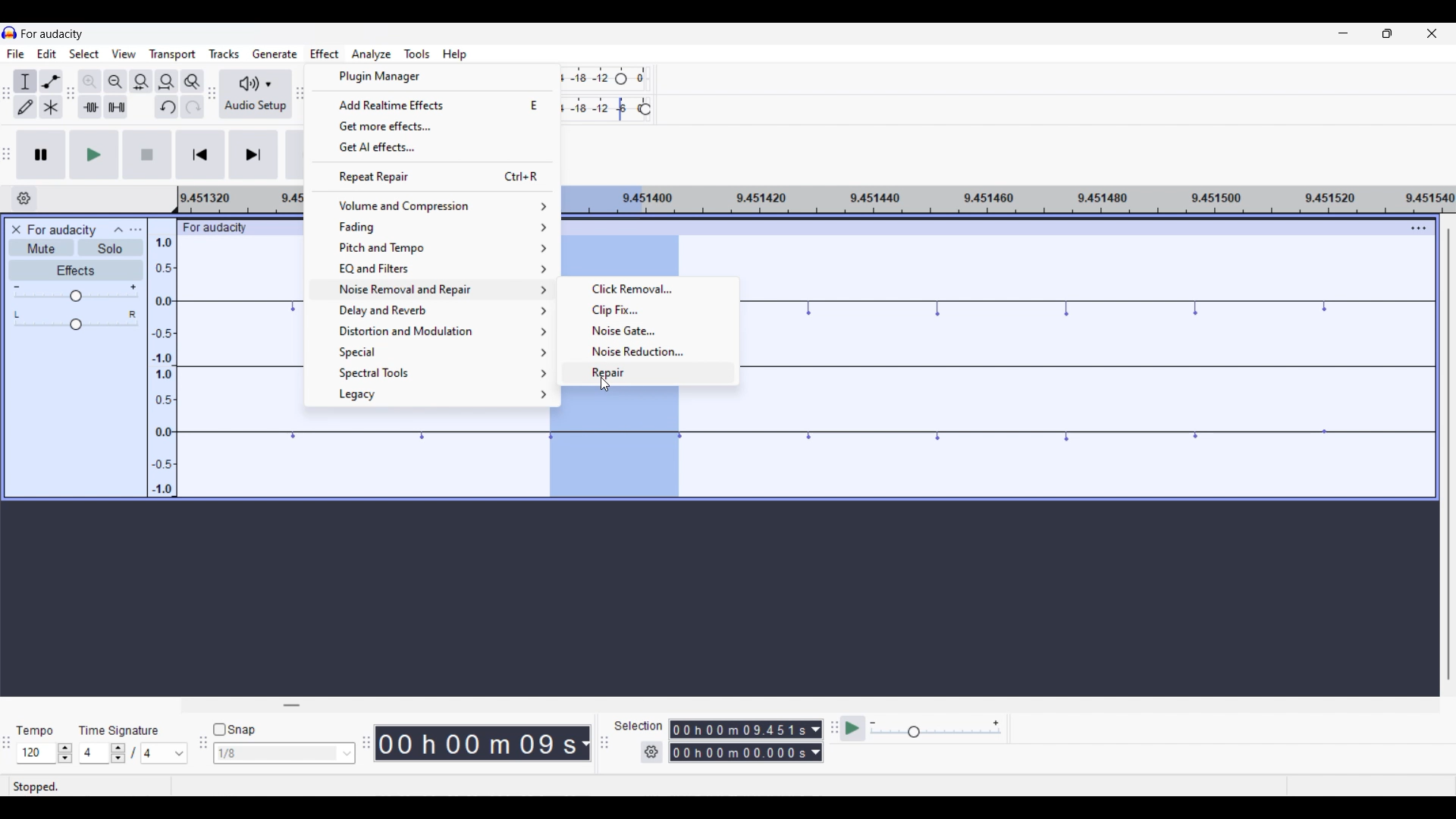 This screenshot has width=1456, height=819. What do you see at coordinates (434, 127) in the screenshot?
I see `Get more effects` at bounding box center [434, 127].